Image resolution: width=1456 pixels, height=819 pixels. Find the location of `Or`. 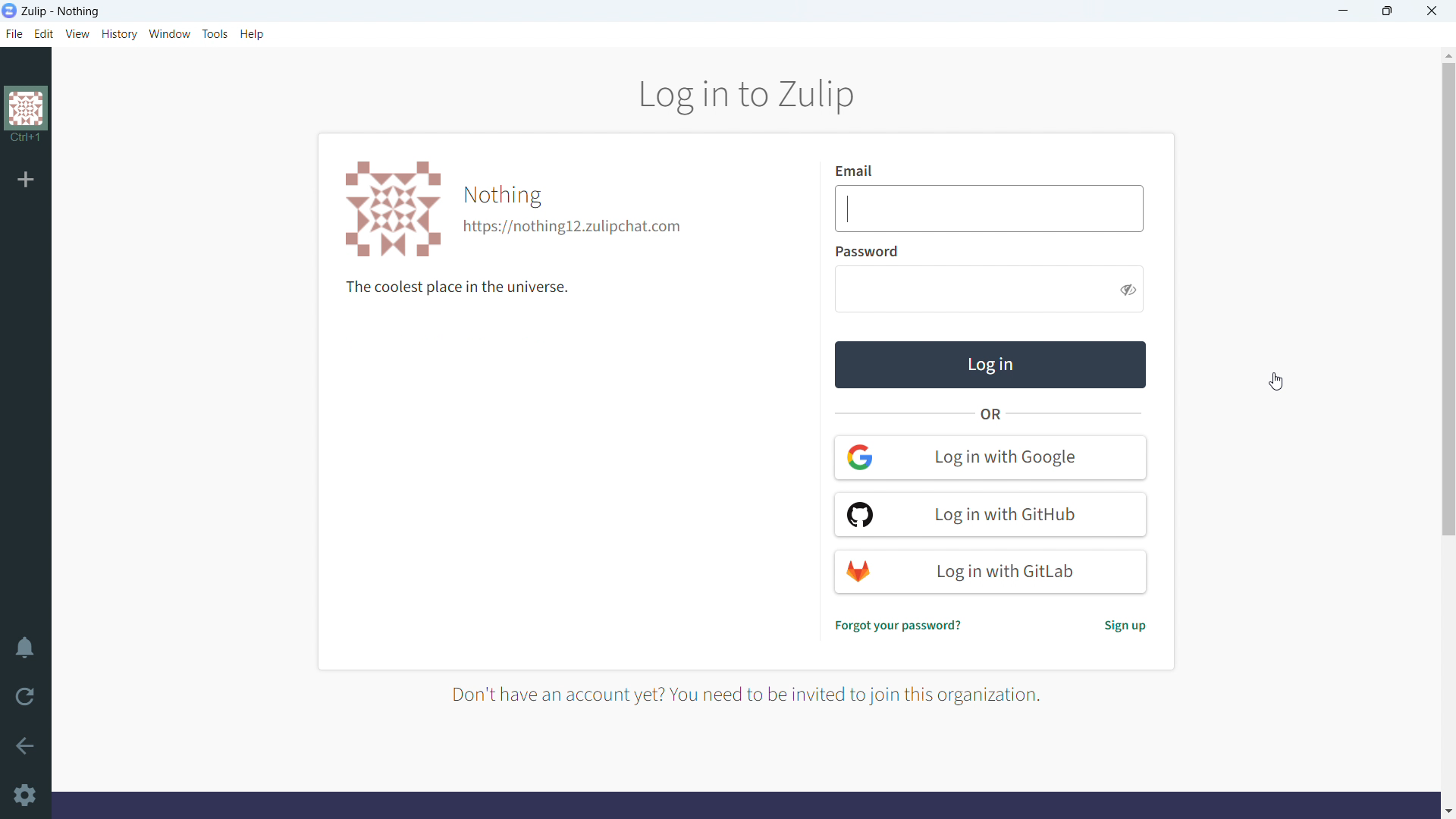

Or is located at coordinates (991, 416).